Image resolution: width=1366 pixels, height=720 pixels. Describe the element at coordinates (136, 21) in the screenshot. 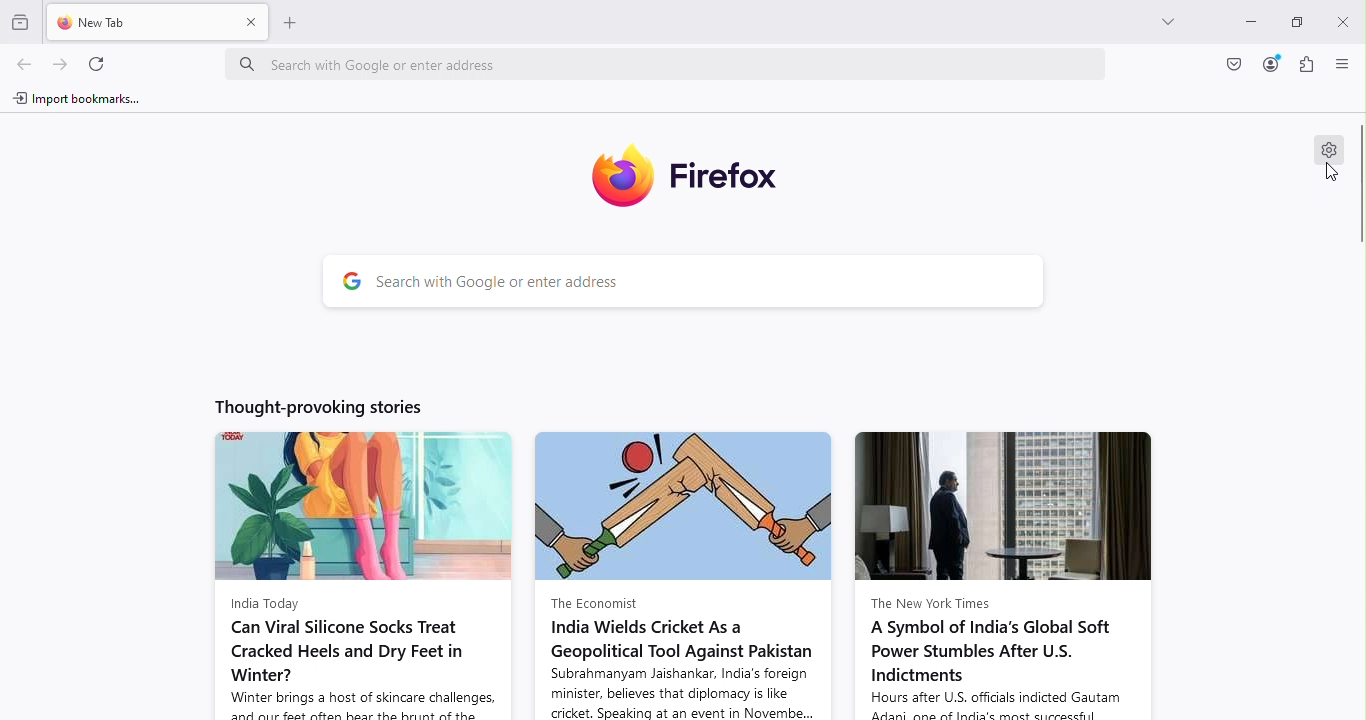

I see `New tab` at that location.